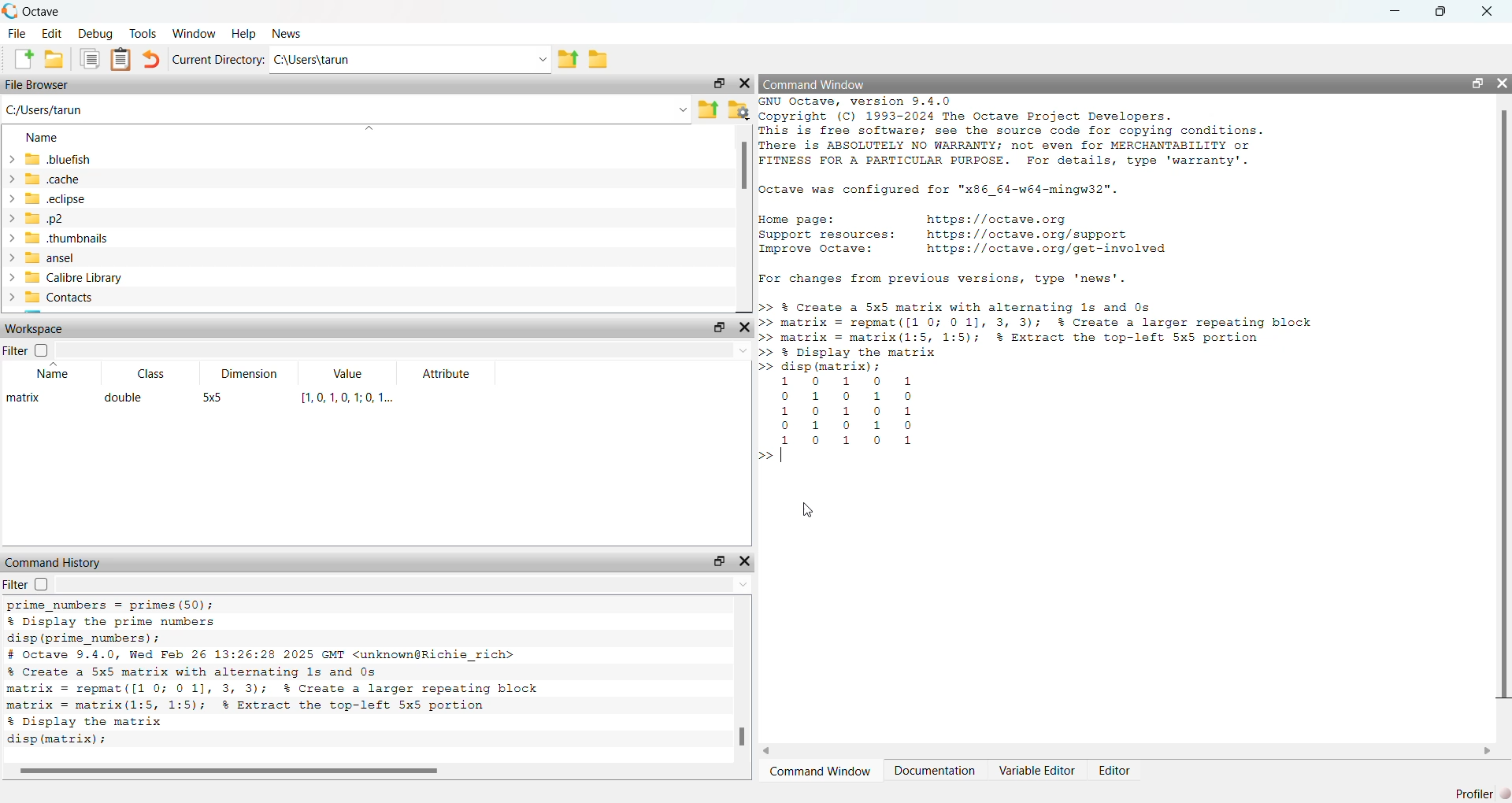 This screenshot has width=1512, height=803. What do you see at coordinates (708, 110) in the screenshot?
I see `share folder` at bounding box center [708, 110].